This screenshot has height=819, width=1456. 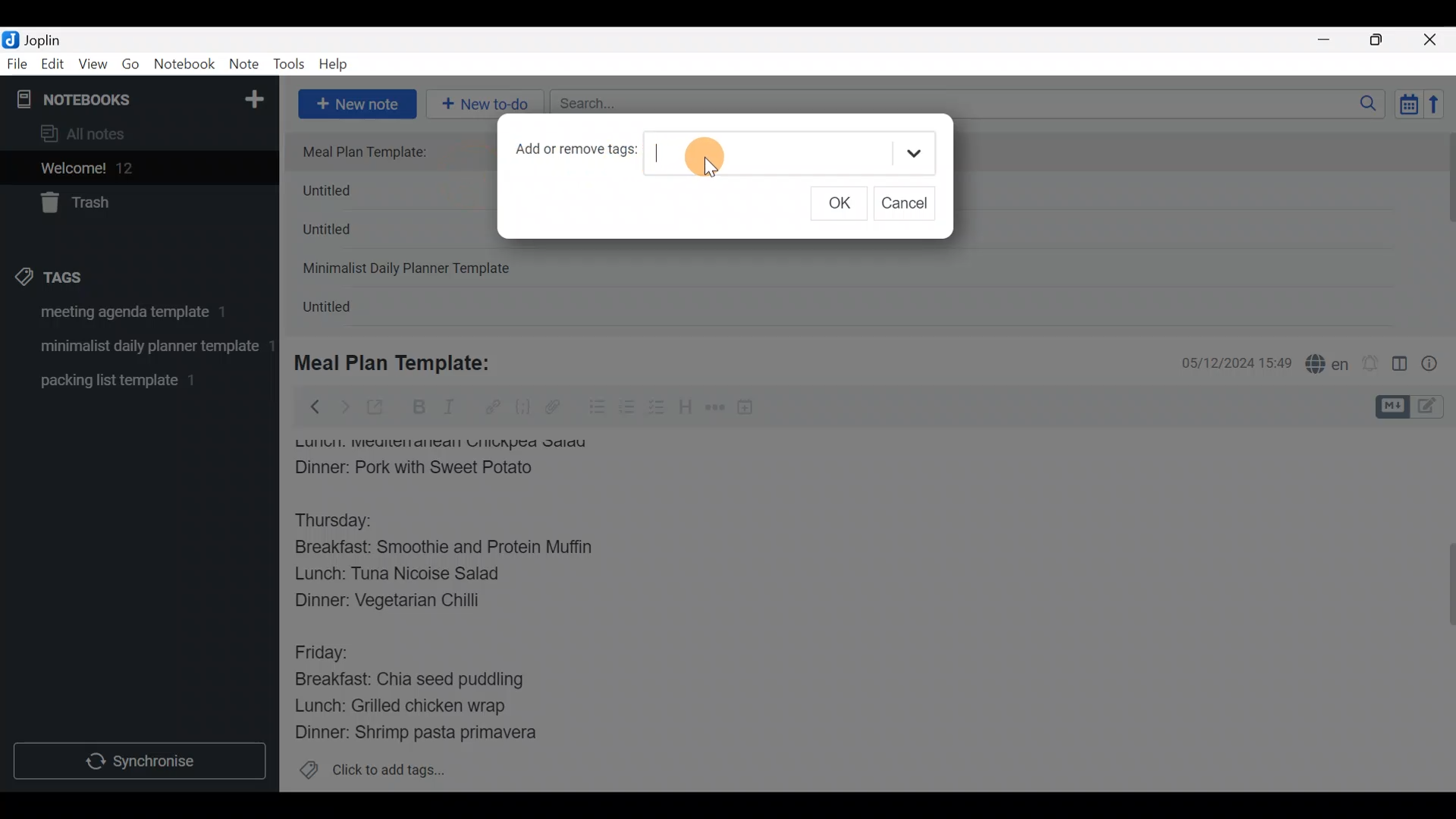 I want to click on Untitled, so click(x=352, y=194).